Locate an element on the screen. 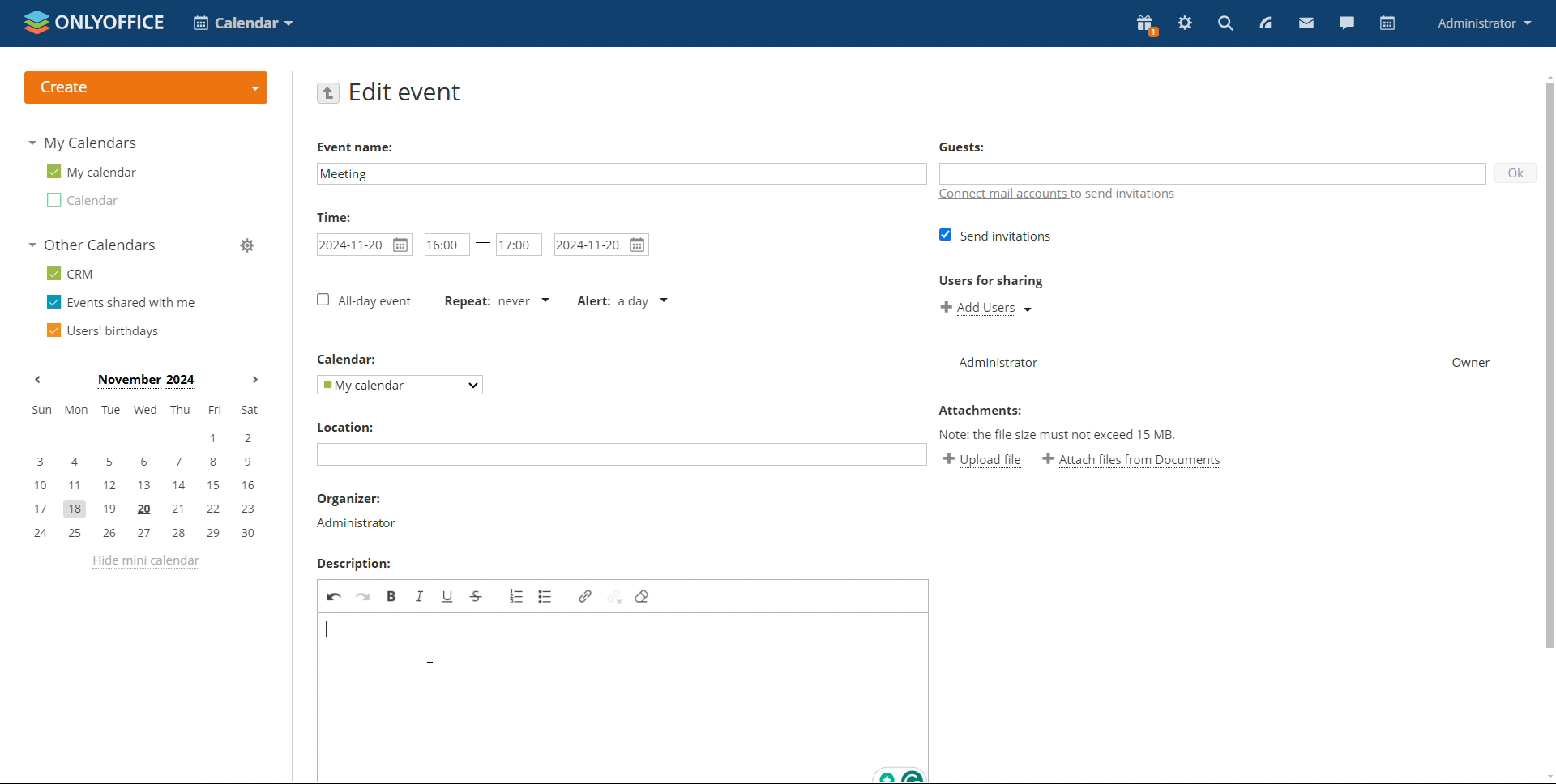 The image size is (1556, 784). started typing is located at coordinates (327, 630).